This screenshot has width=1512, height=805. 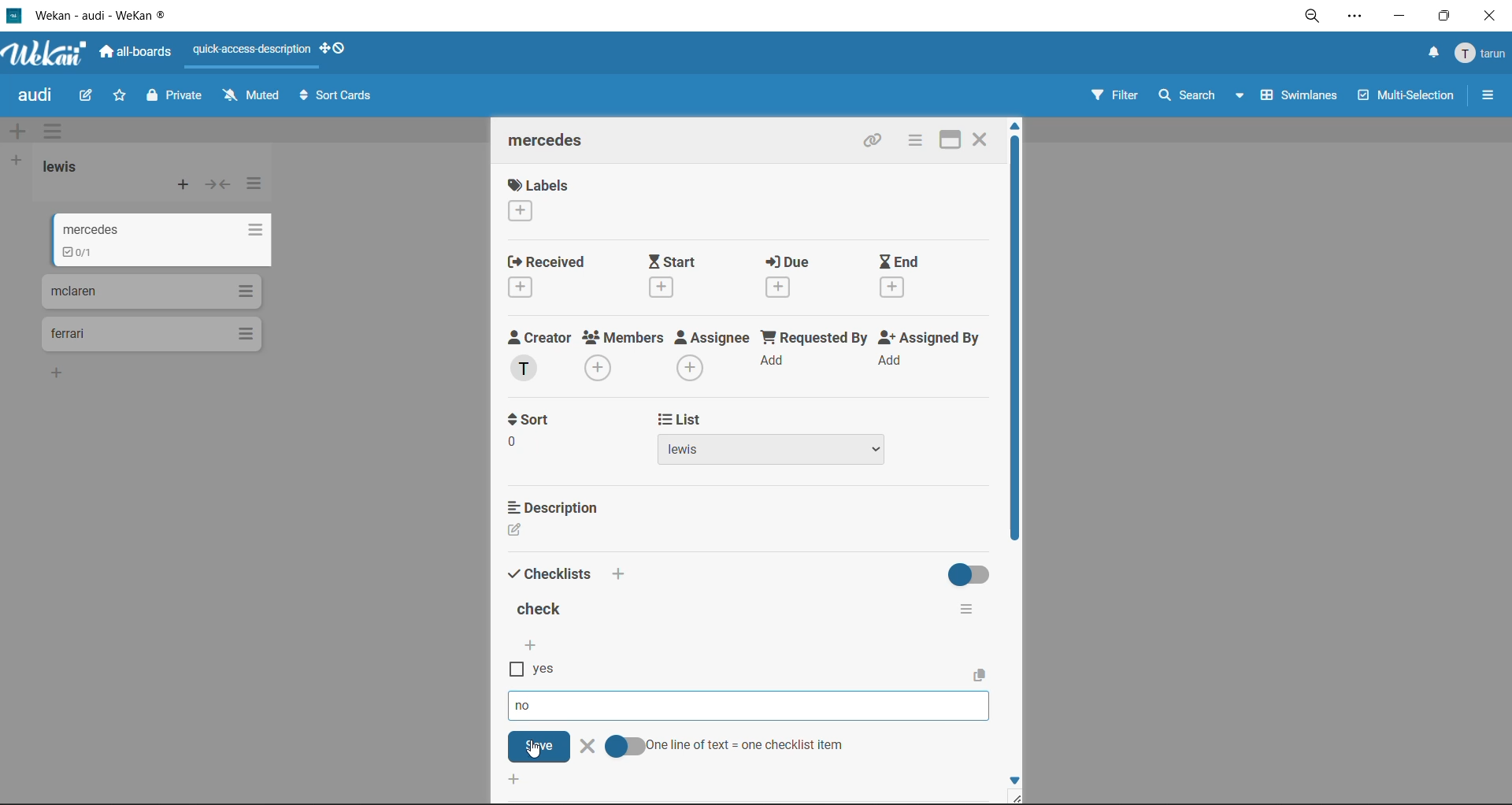 I want to click on add list, so click(x=17, y=161).